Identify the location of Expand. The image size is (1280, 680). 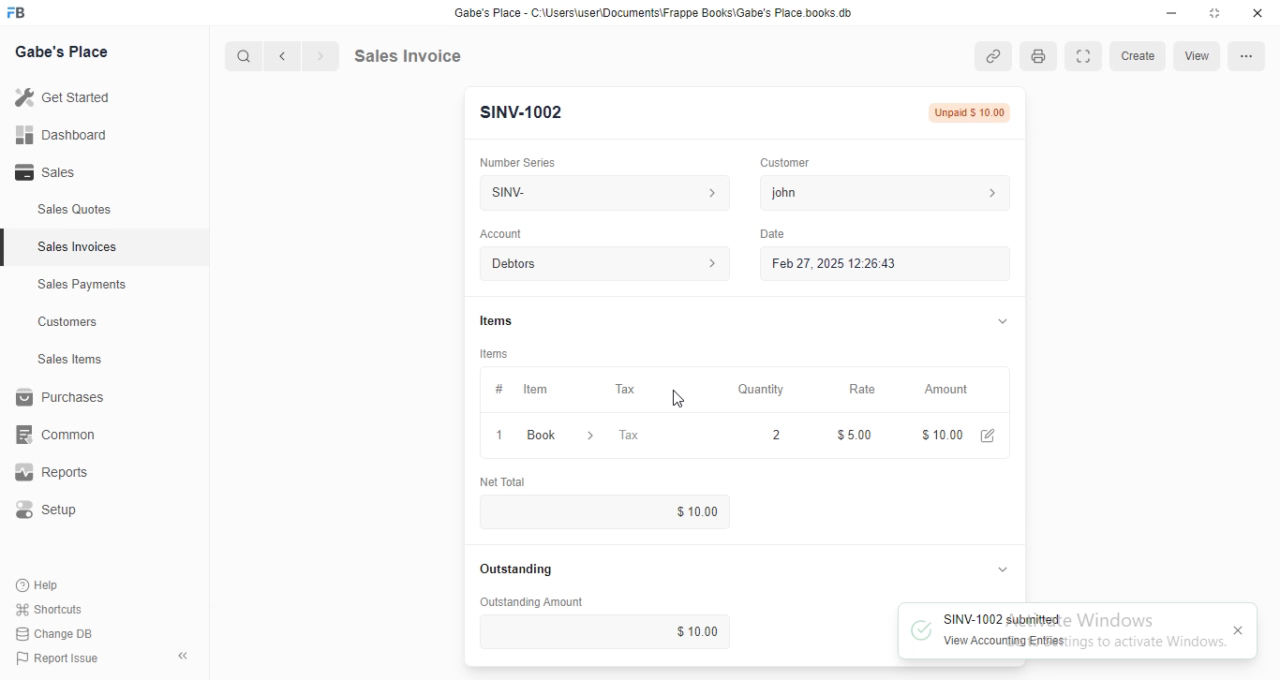
(1002, 320).